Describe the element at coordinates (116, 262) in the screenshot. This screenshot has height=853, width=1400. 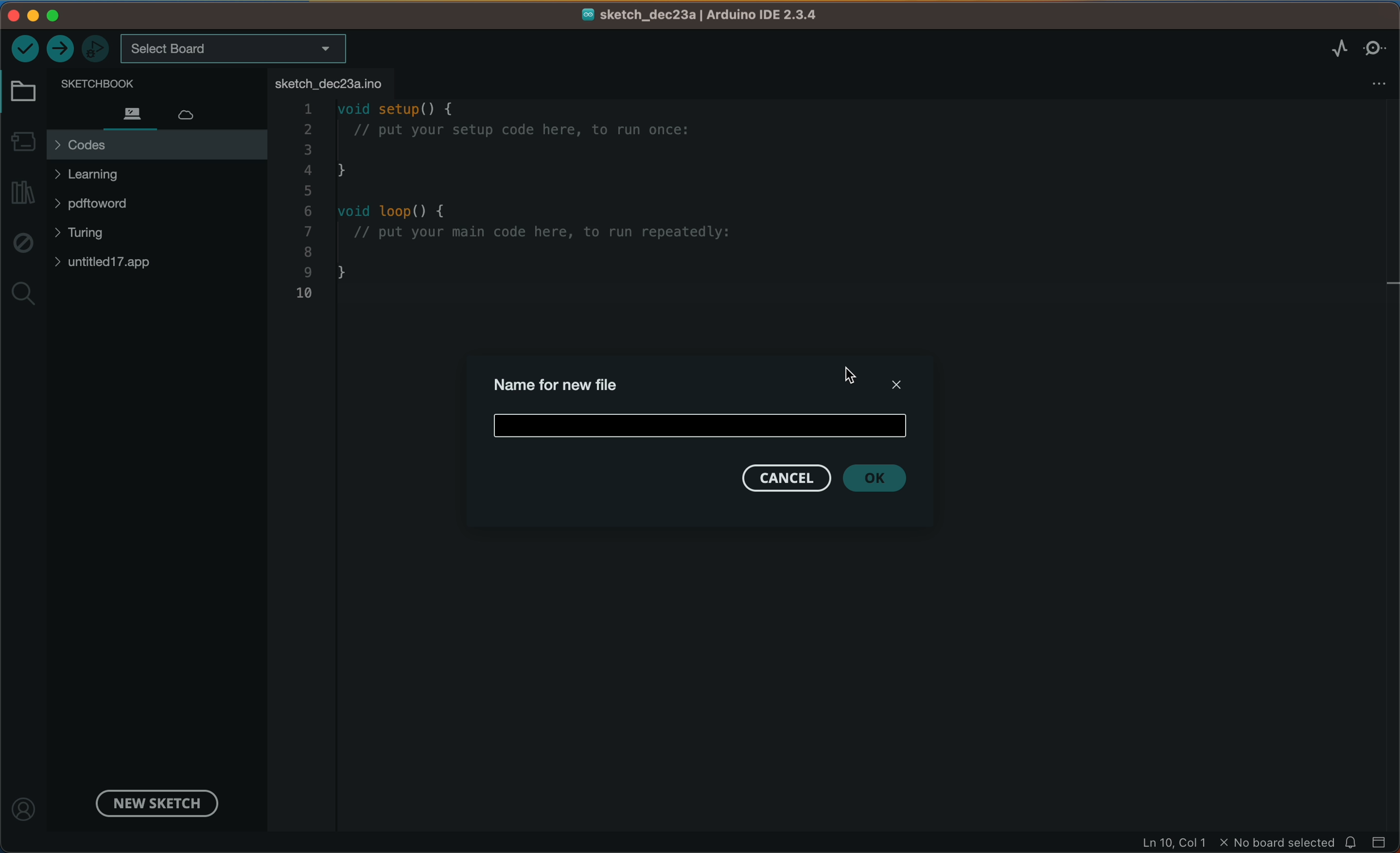
I see `untitled 17` at that location.